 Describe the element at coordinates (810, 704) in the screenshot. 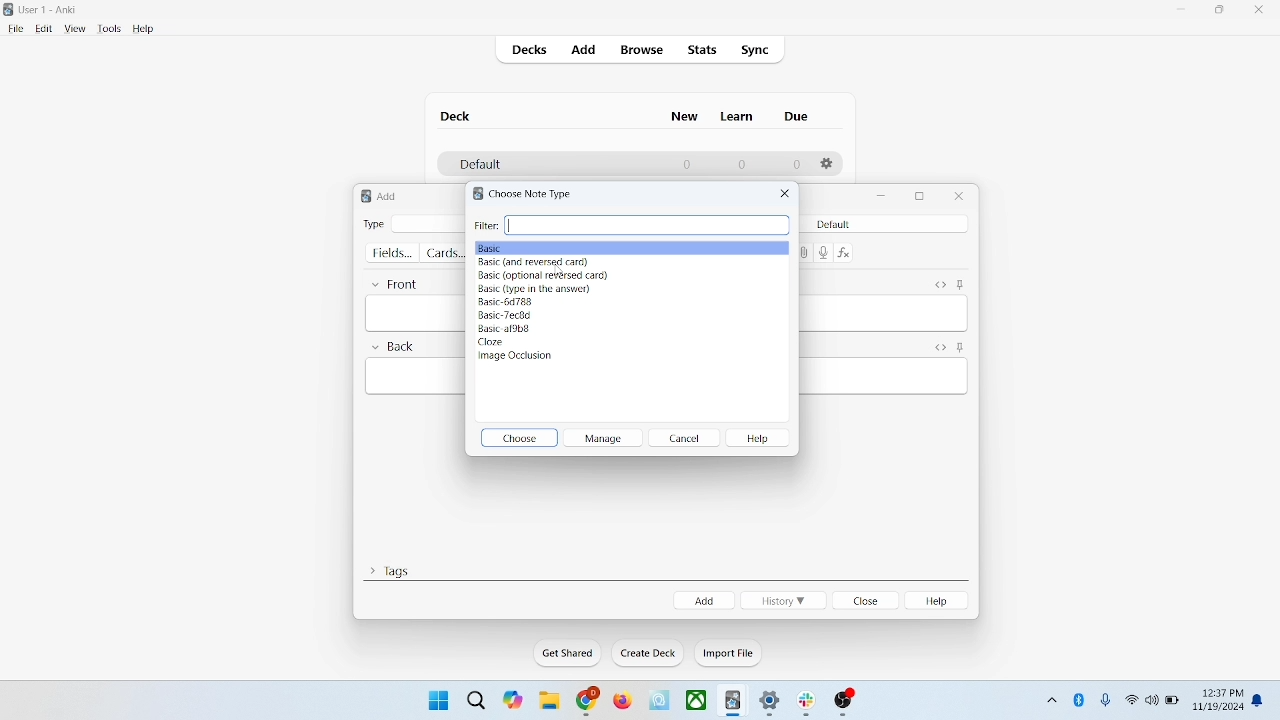

I see `icon` at that location.